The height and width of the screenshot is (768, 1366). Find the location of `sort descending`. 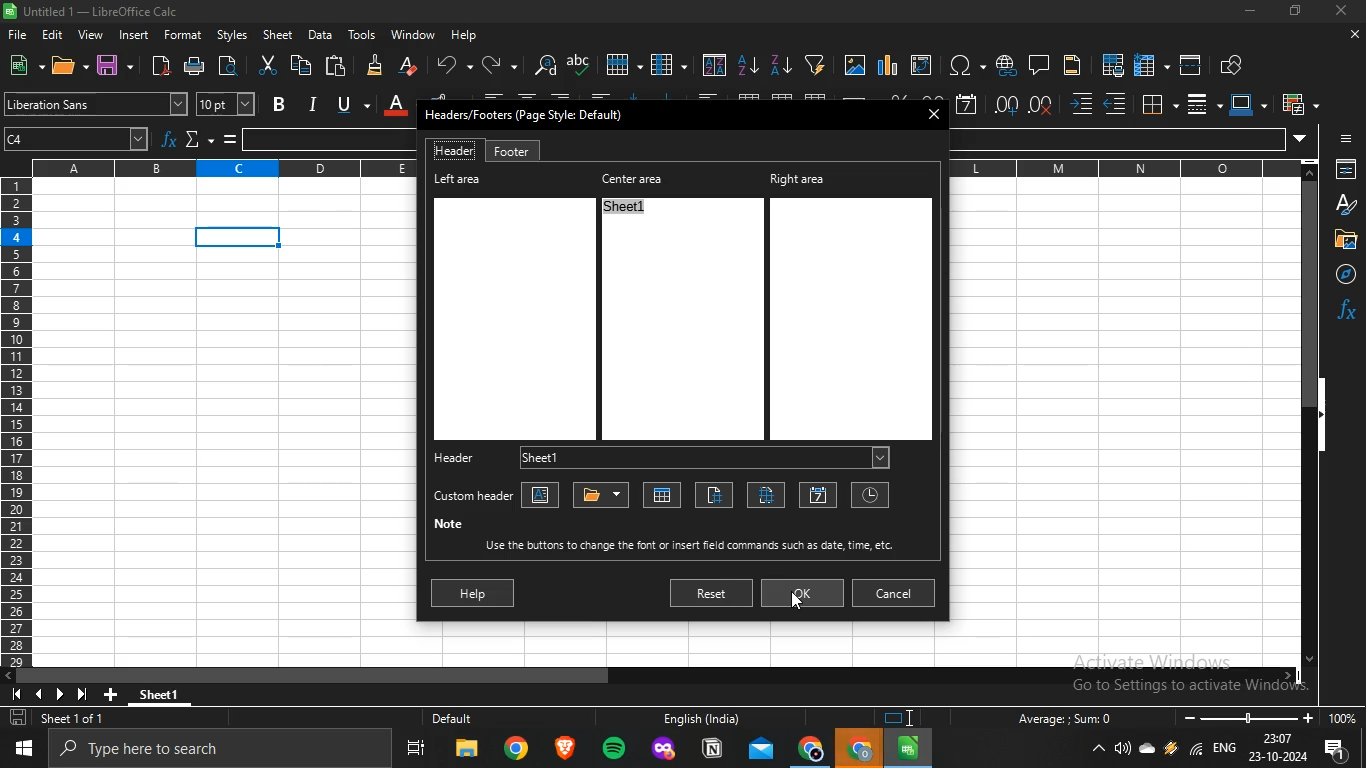

sort descending is located at coordinates (780, 64).